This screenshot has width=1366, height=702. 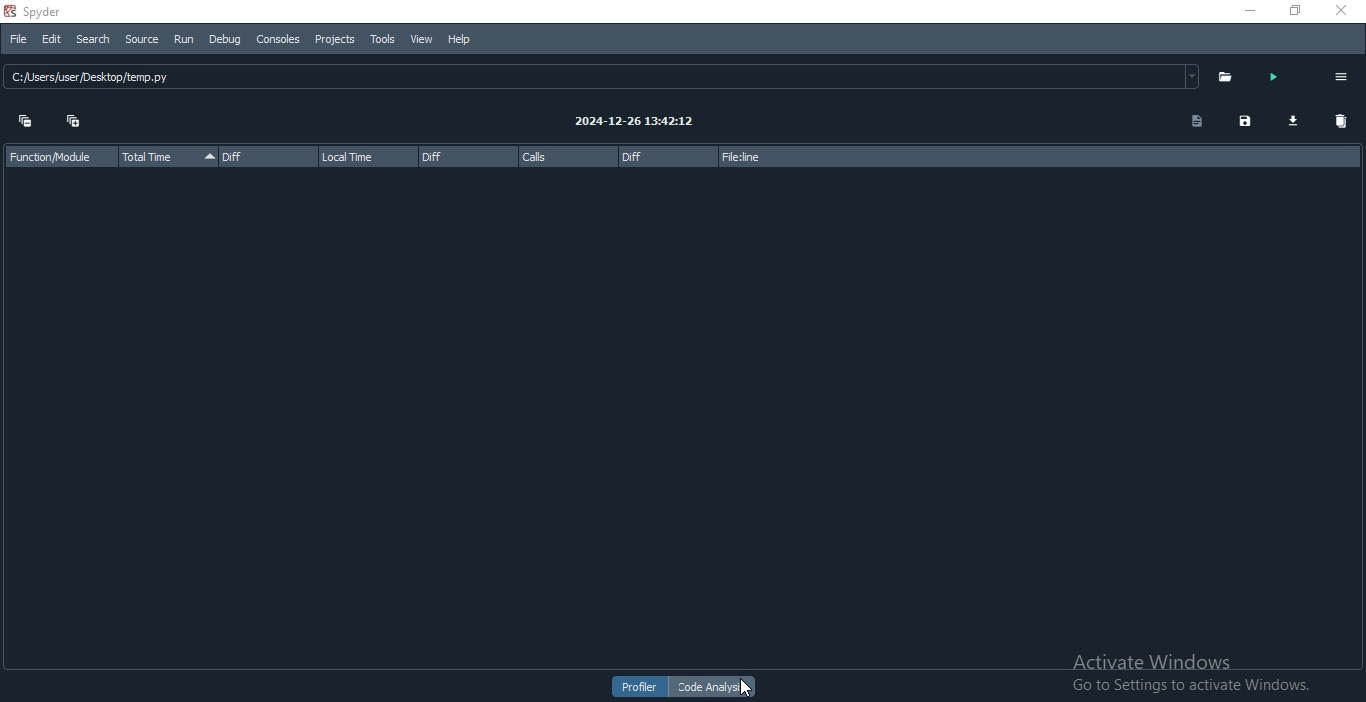 What do you see at coordinates (278, 42) in the screenshot?
I see `Consoles` at bounding box center [278, 42].